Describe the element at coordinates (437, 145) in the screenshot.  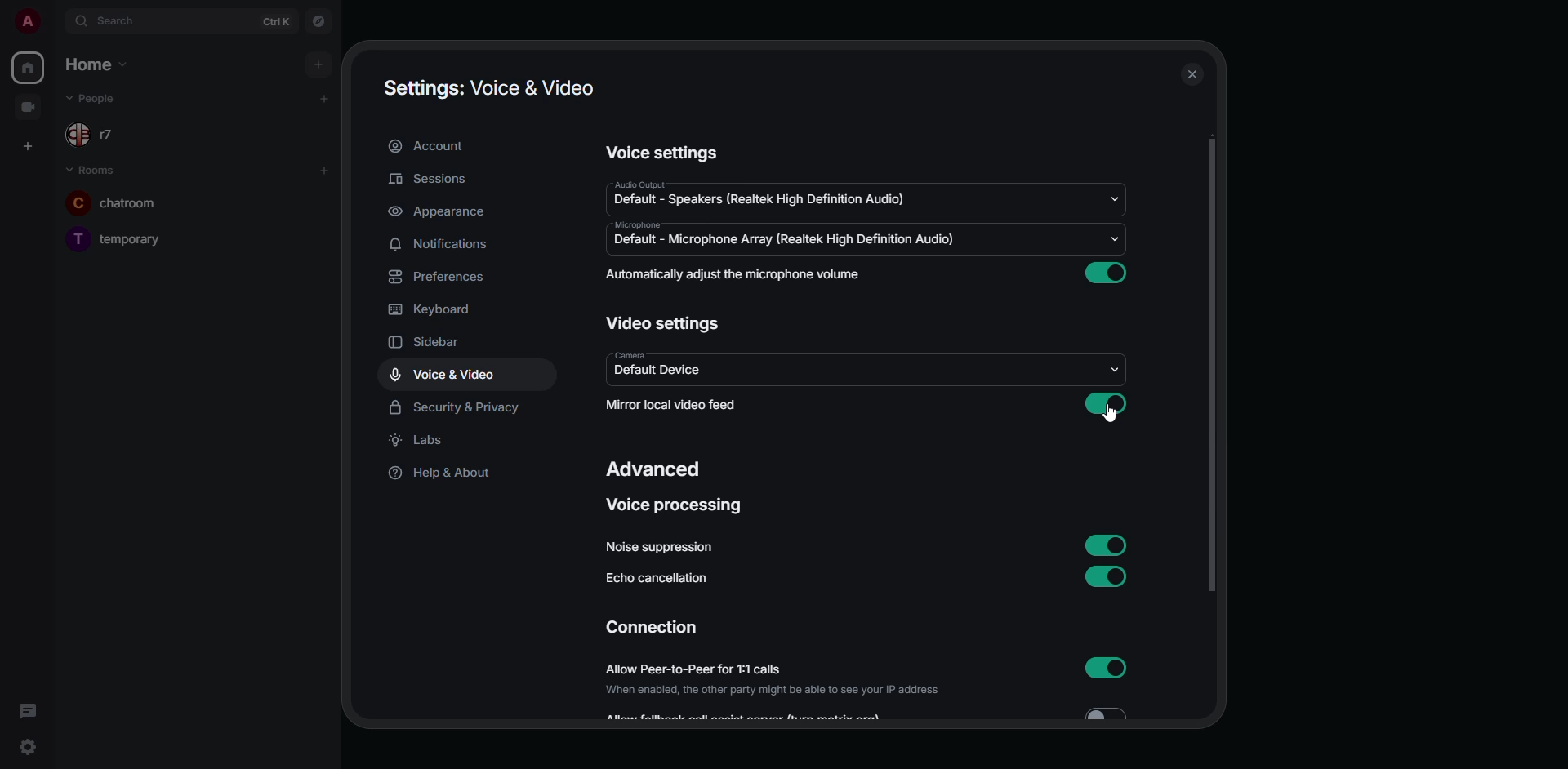
I see `account` at that location.